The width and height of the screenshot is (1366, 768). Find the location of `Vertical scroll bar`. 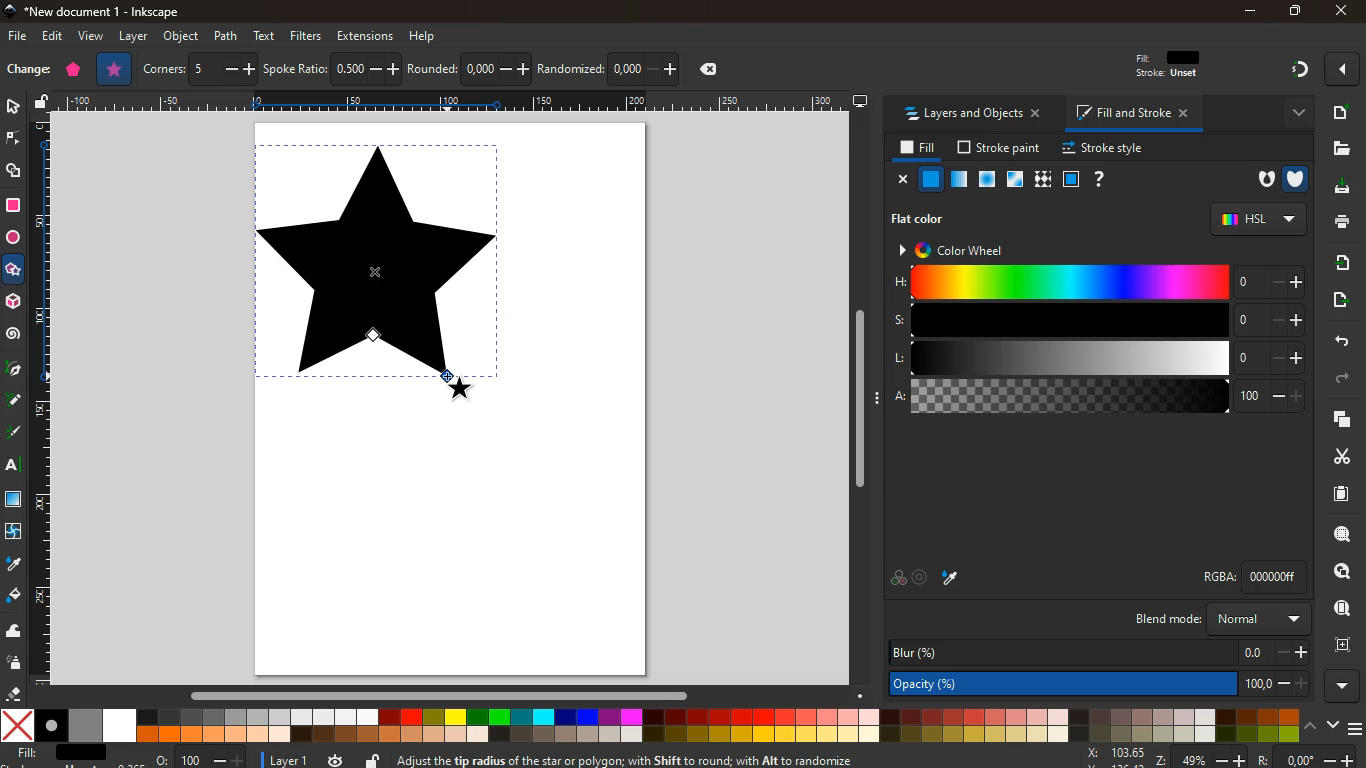

Vertical scroll bar is located at coordinates (863, 402).